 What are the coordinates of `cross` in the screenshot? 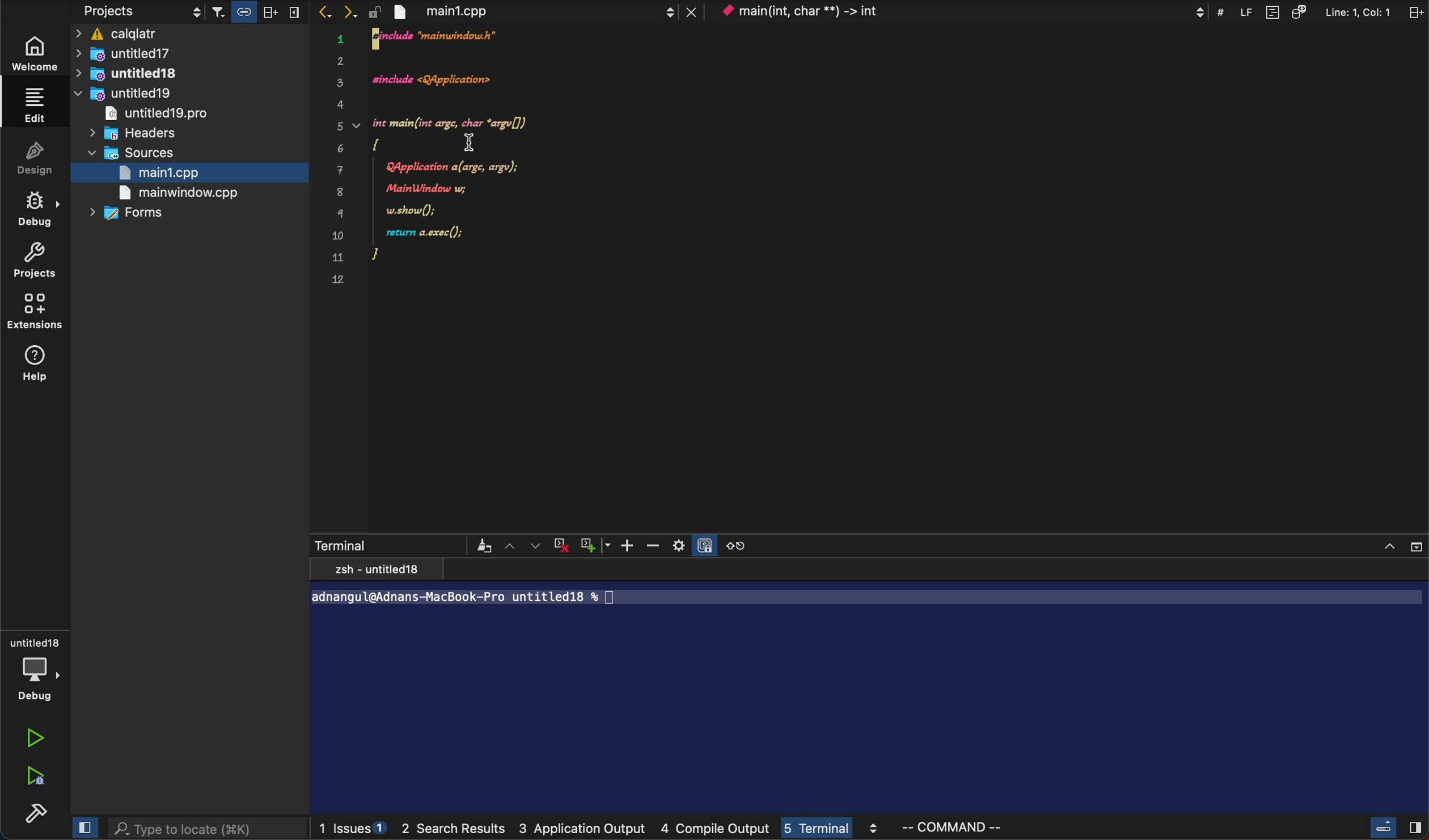 It's located at (562, 546).